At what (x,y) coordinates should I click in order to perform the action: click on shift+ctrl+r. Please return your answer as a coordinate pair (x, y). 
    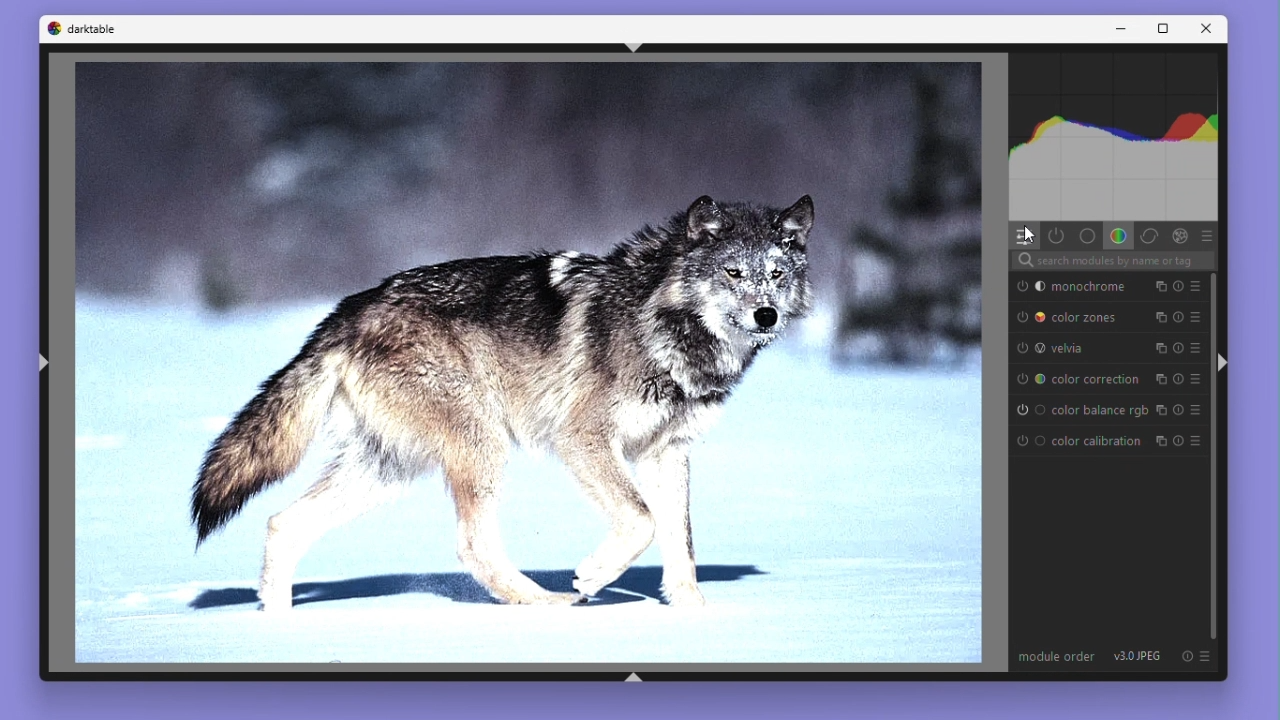
    Looking at the image, I should click on (1222, 364).